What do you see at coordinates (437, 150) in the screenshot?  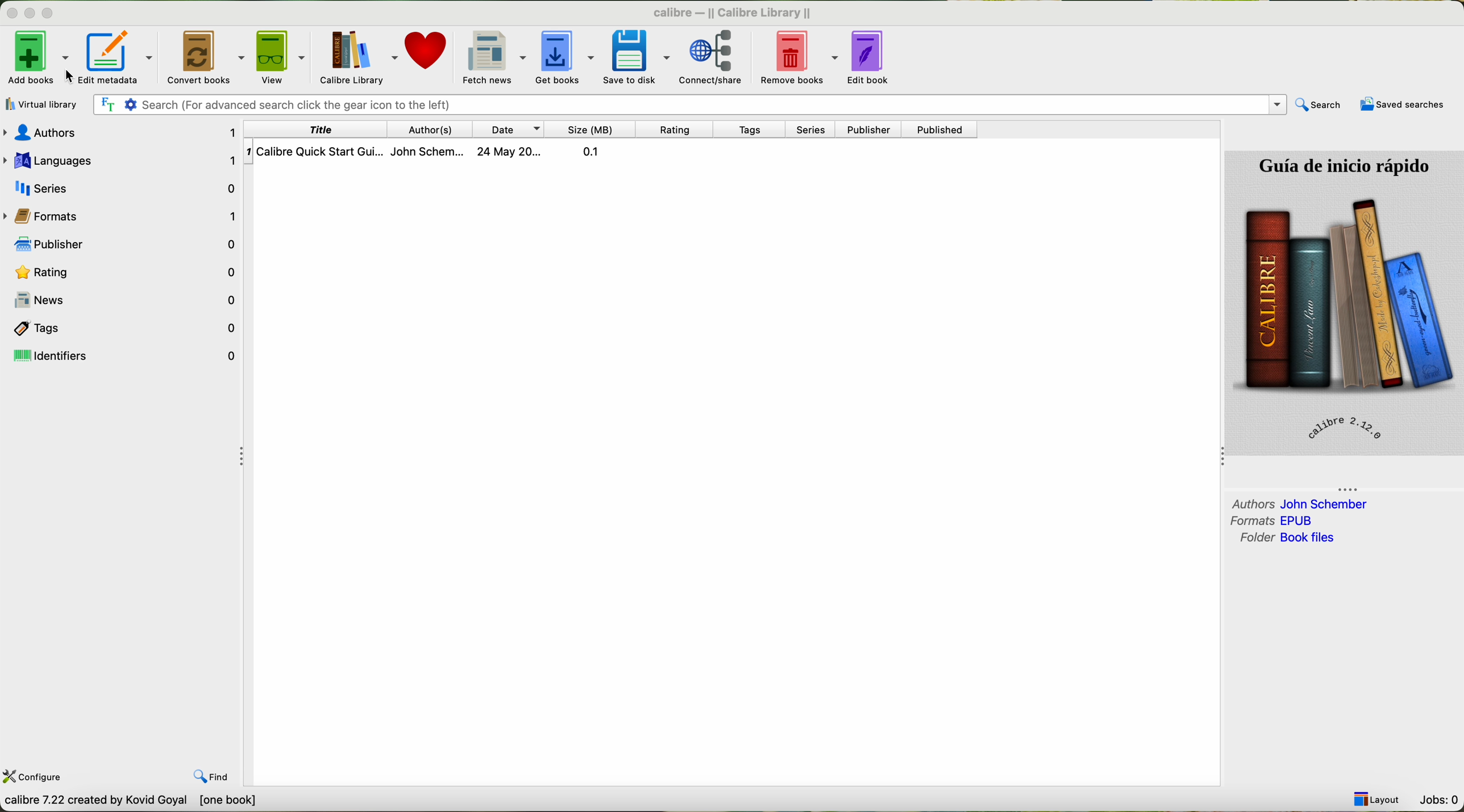 I see `book` at bounding box center [437, 150].